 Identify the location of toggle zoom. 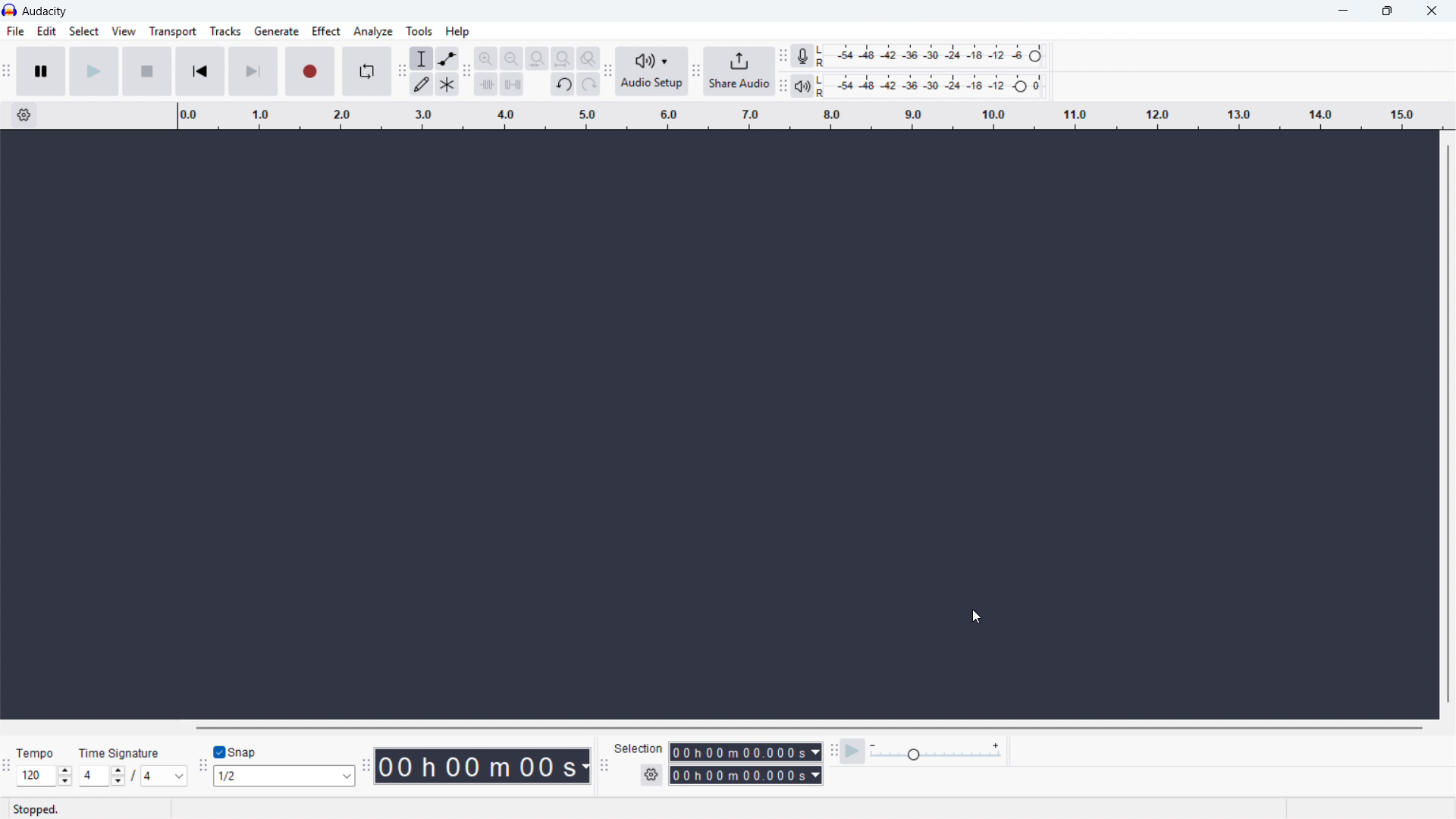
(588, 58).